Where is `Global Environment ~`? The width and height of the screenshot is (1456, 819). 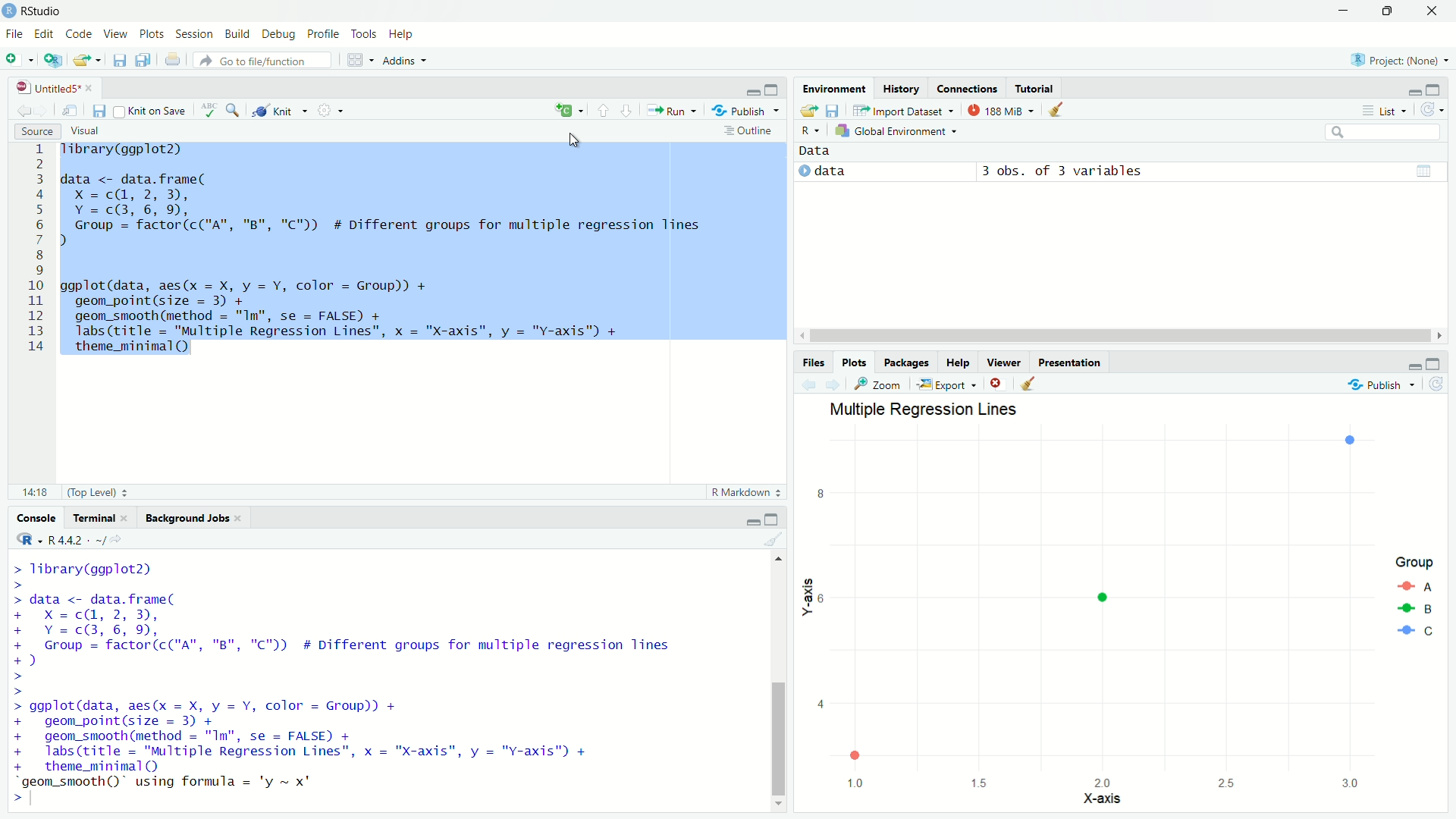
Global Environment ~ is located at coordinates (898, 130).